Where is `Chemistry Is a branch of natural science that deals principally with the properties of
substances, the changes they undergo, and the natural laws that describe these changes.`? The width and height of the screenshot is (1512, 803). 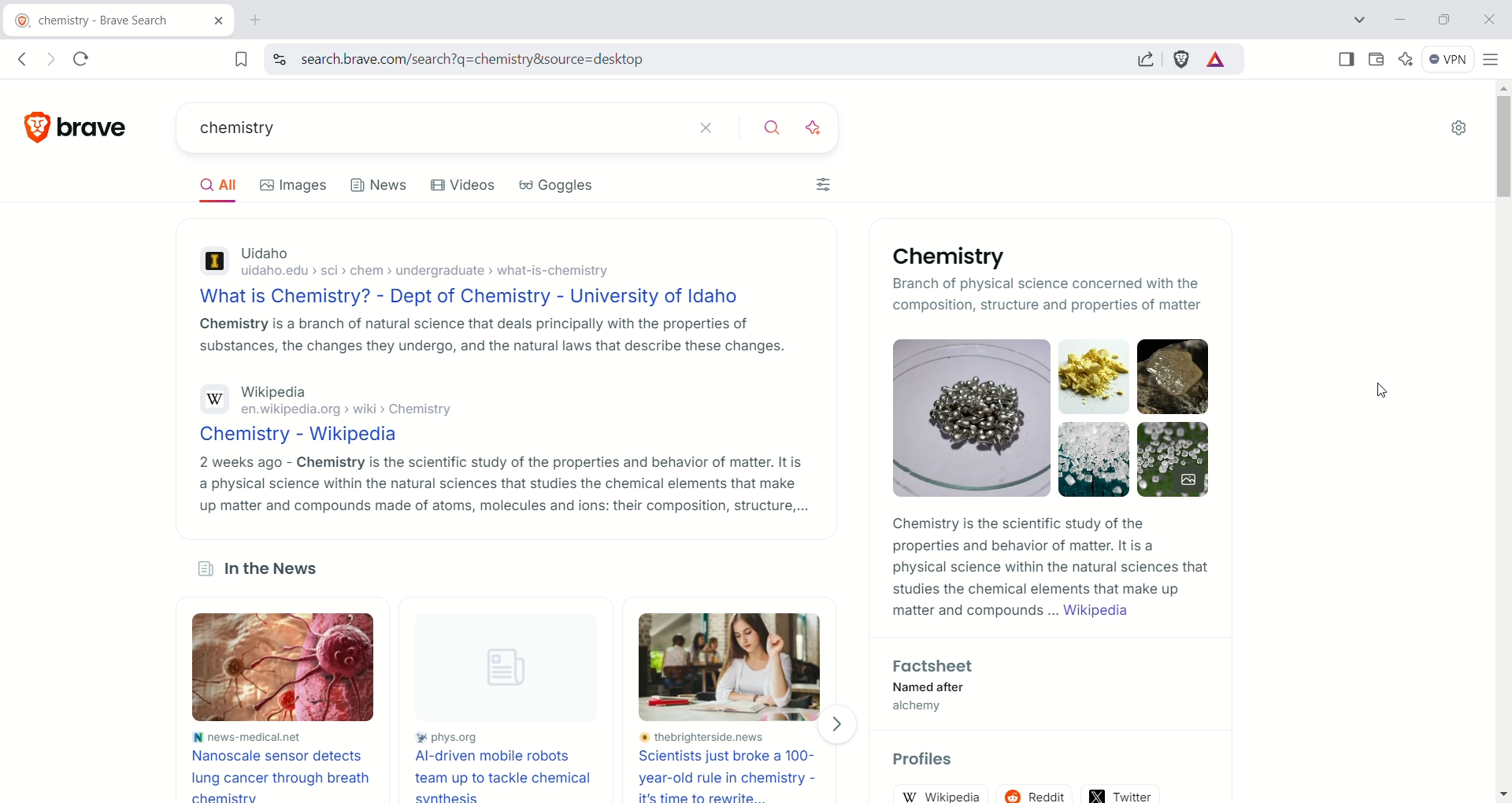 Chemistry Is a branch of natural science that deals principally with the properties of
substances, the changes they undergo, and the natural laws that describe these changes. is located at coordinates (491, 339).